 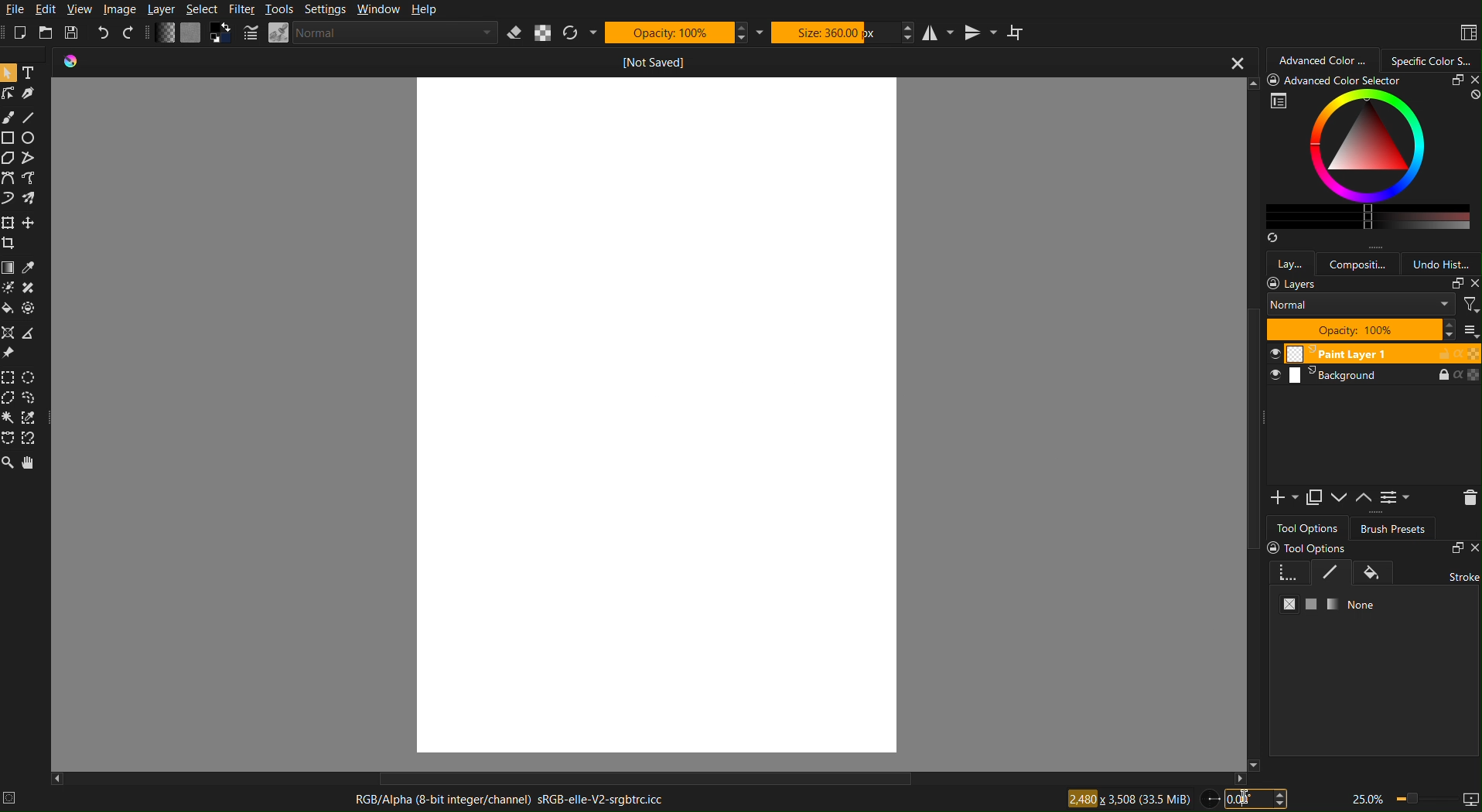 What do you see at coordinates (1471, 285) in the screenshot?
I see `close` at bounding box center [1471, 285].